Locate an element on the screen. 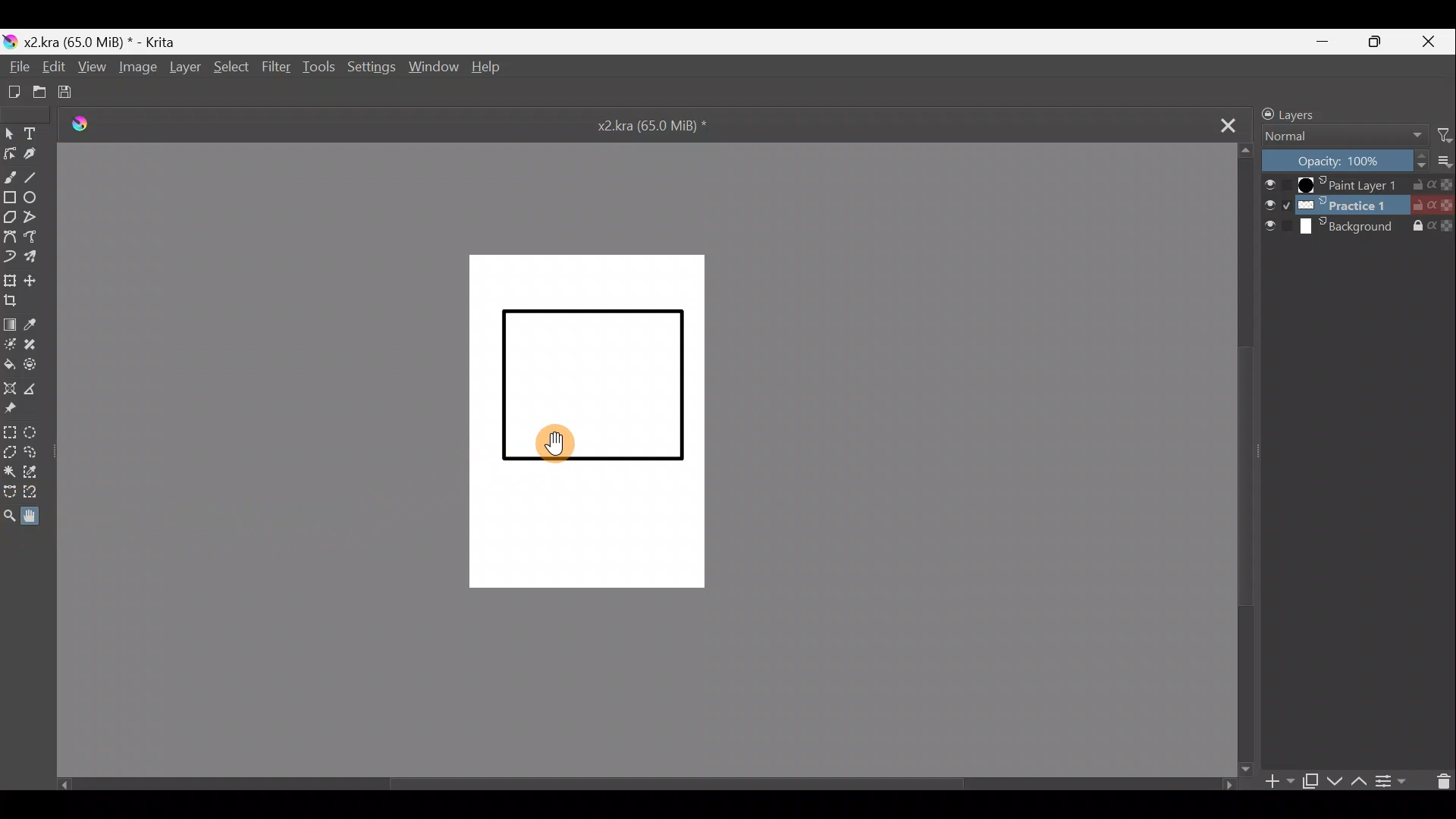 The height and width of the screenshot is (819, 1456). Select is located at coordinates (231, 71).